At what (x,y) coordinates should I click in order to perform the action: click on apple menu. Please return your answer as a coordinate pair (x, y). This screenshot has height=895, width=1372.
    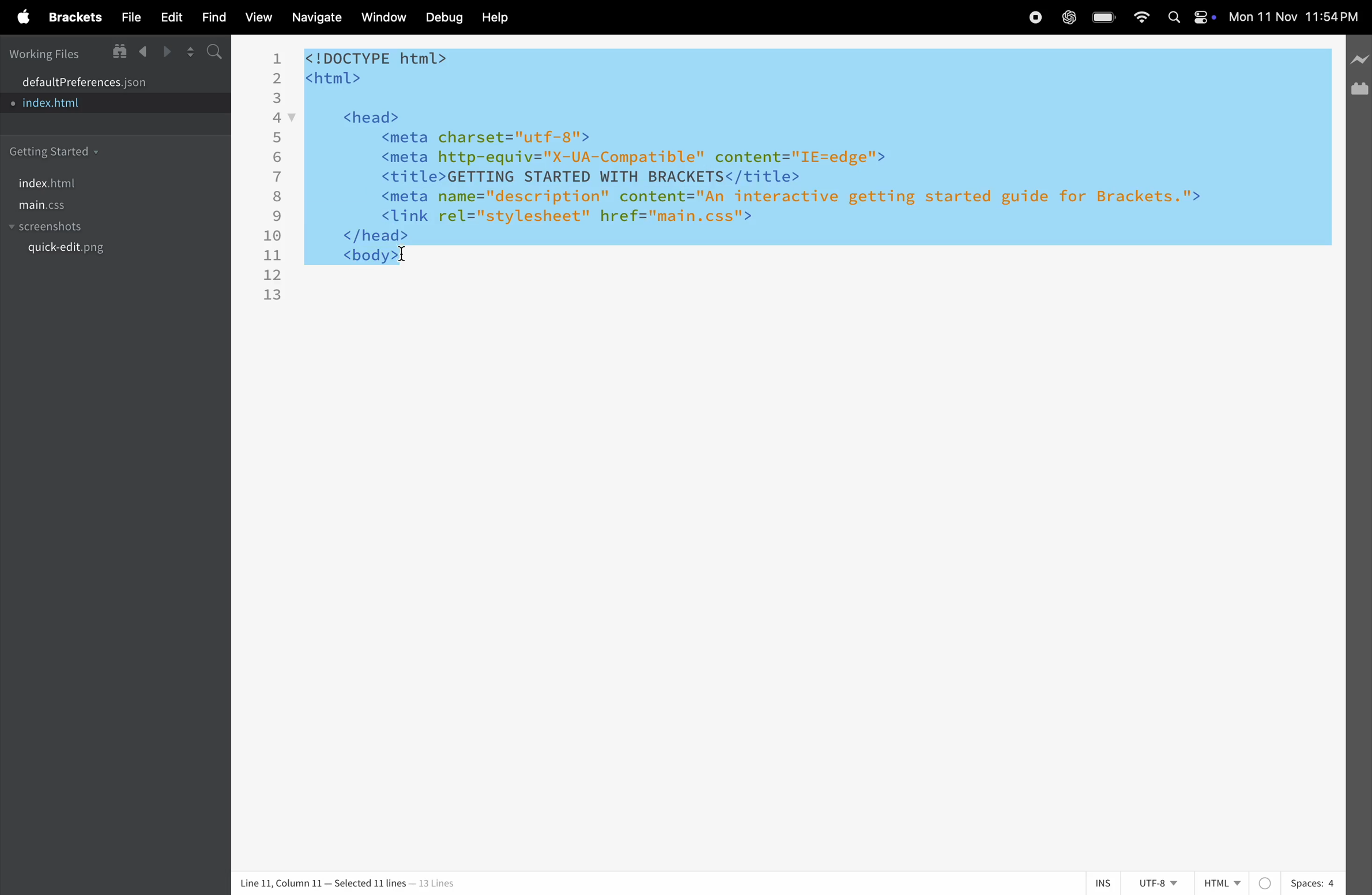
    Looking at the image, I should click on (20, 17).